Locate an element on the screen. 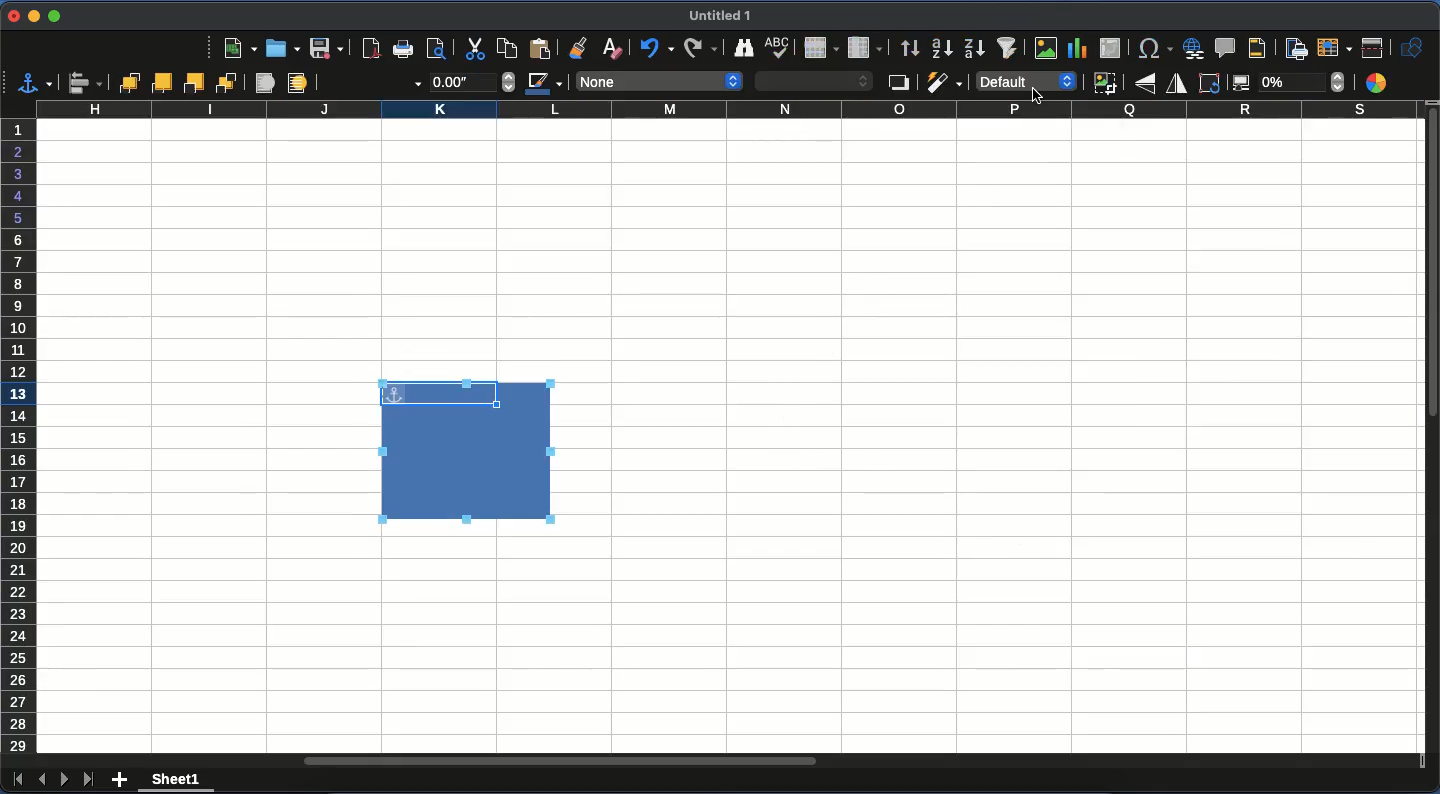 This screenshot has height=794, width=1440. print is located at coordinates (402, 48).